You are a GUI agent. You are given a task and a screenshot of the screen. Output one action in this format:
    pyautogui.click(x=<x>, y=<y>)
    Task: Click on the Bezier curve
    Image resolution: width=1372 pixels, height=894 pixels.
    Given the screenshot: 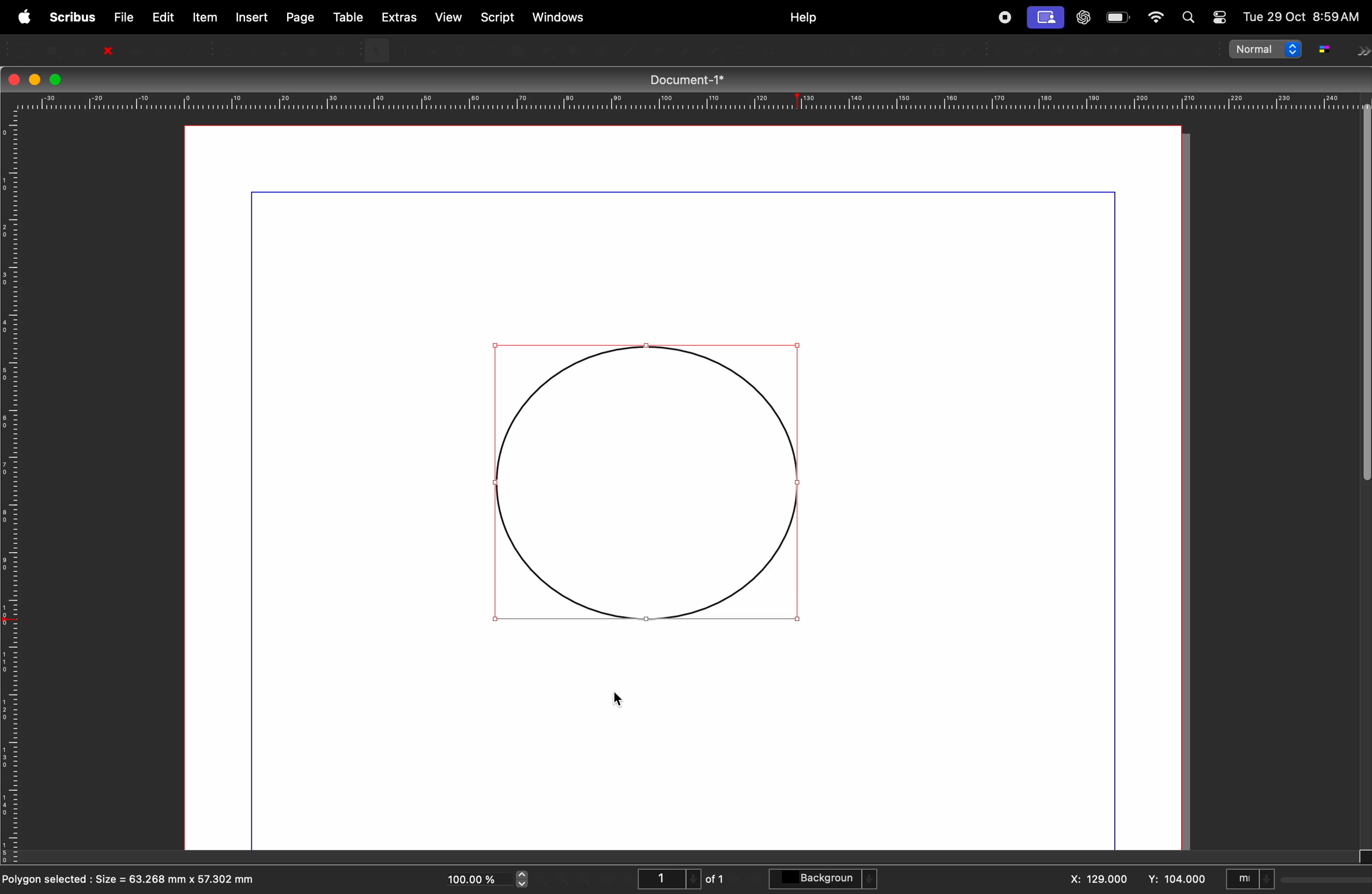 What is the action you would take?
    pyautogui.click(x=687, y=50)
    